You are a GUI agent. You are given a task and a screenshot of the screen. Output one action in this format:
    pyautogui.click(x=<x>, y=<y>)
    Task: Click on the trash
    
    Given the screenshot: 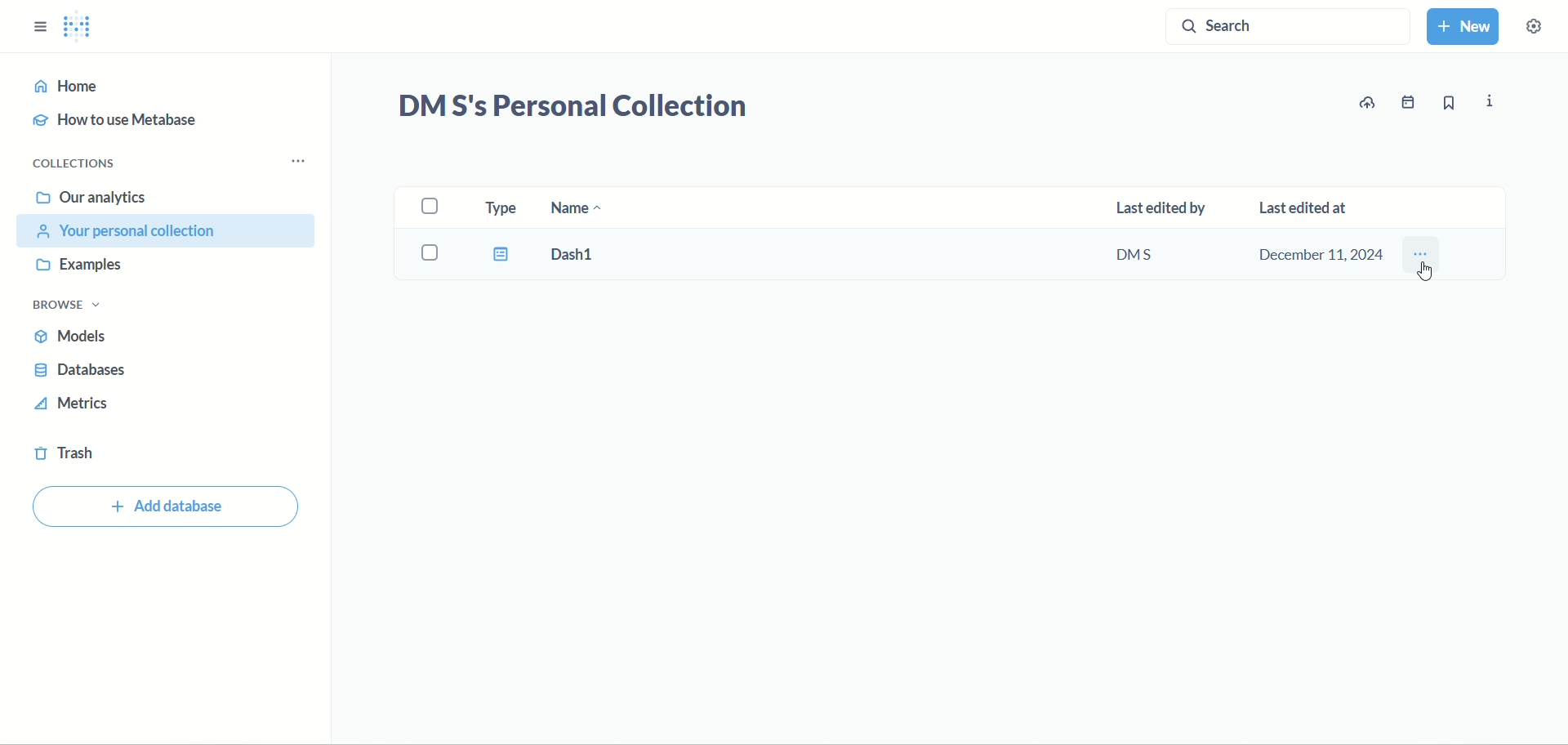 What is the action you would take?
    pyautogui.click(x=69, y=457)
    